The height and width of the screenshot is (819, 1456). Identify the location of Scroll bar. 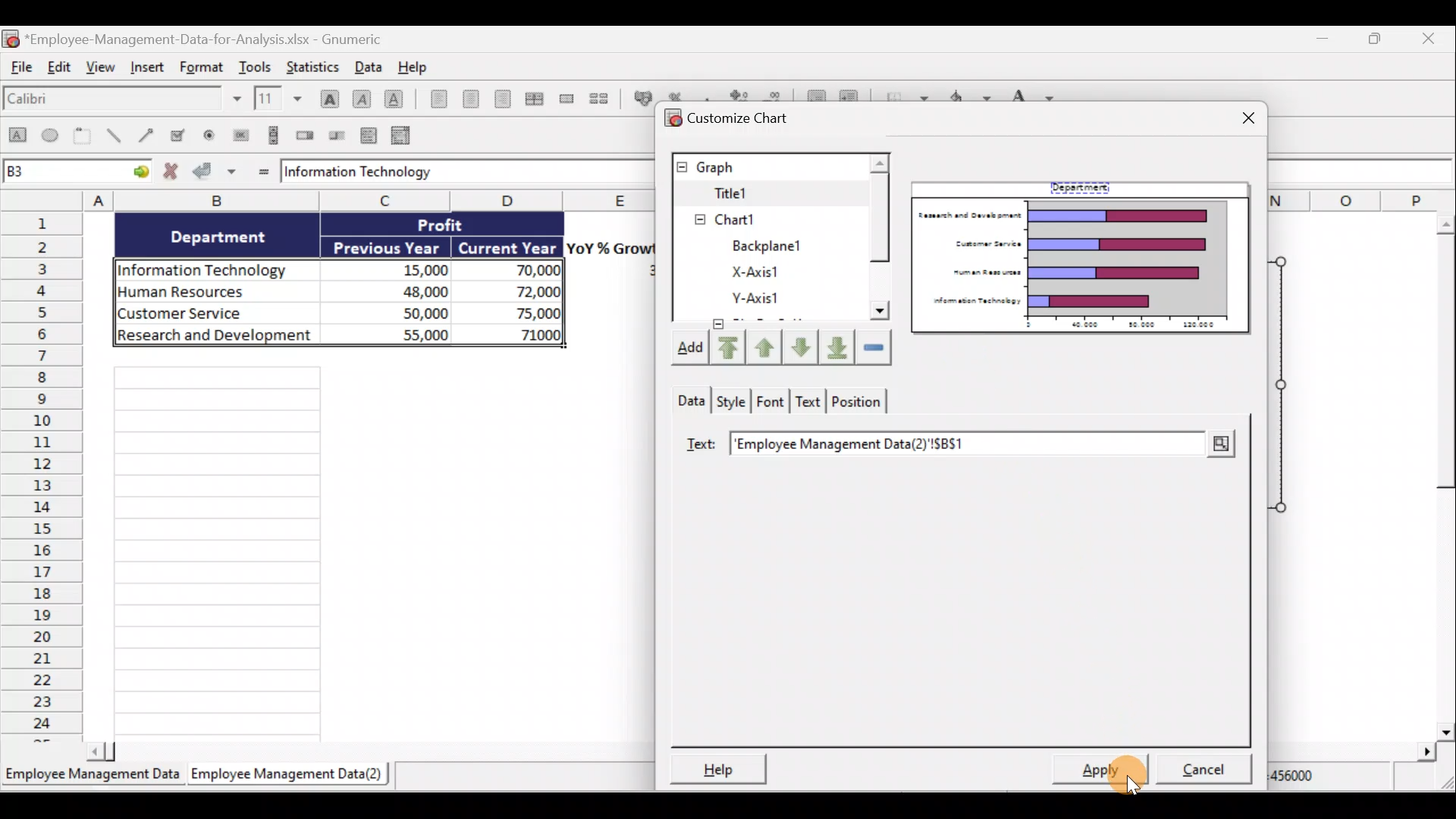
(880, 247).